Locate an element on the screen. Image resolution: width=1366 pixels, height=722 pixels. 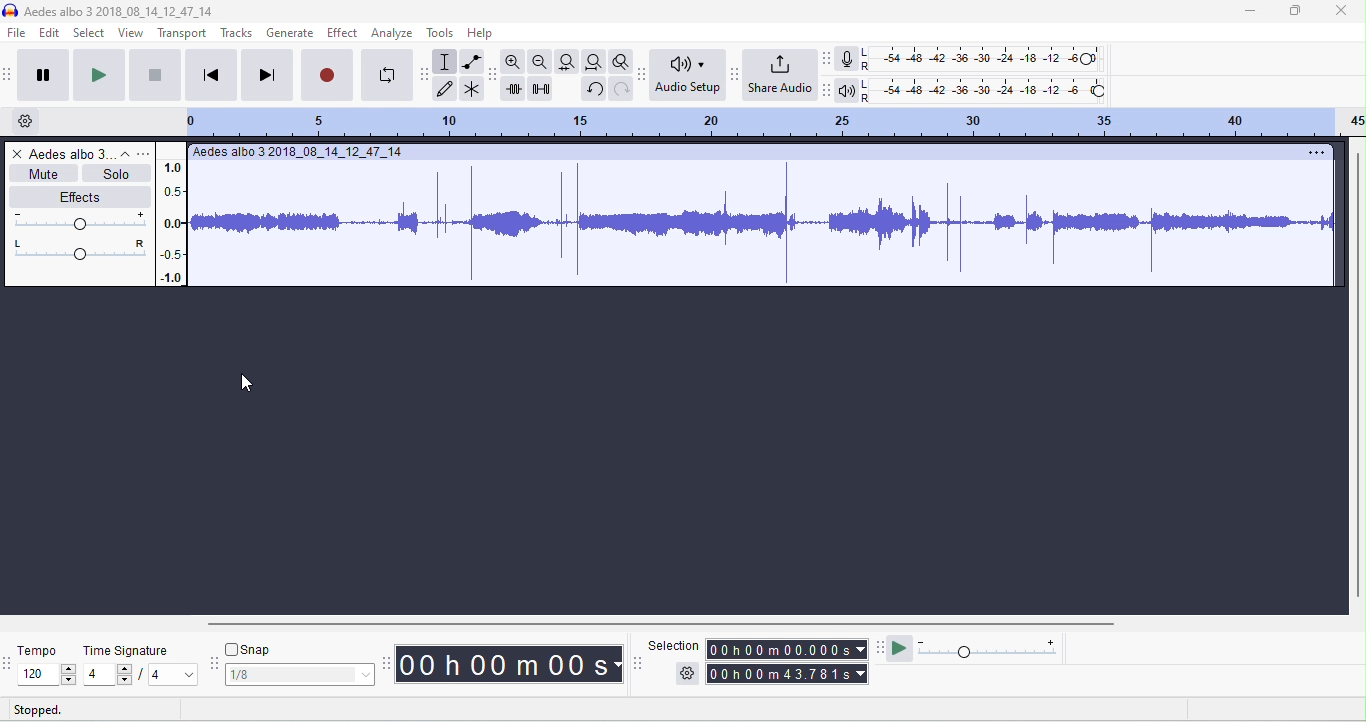
cursor is located at coordinates (249, 381).